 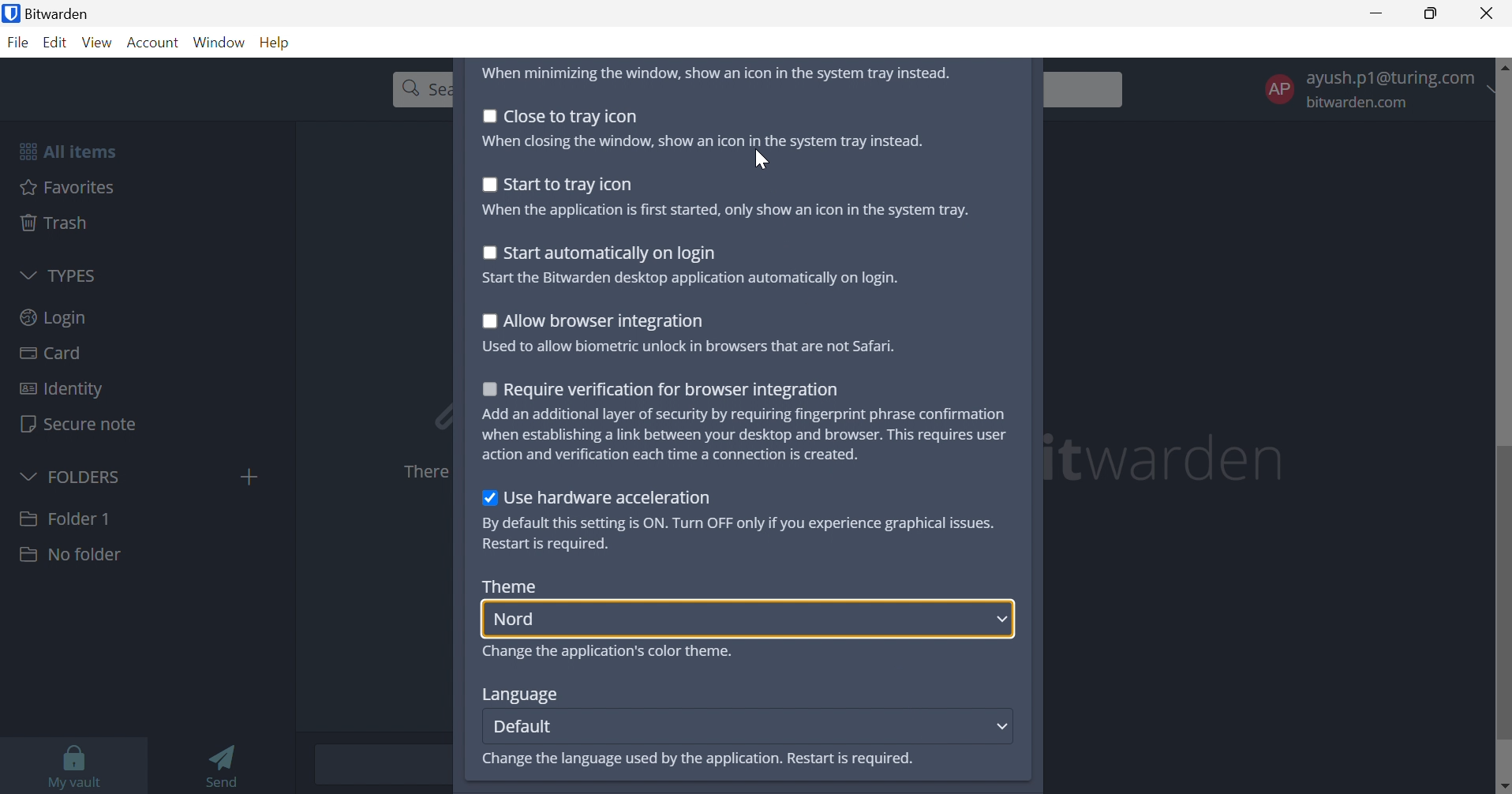 What do you see at coordinates (487, 388) in the screenshot?
I see `Checkbox` at bounding box center [487, 388].